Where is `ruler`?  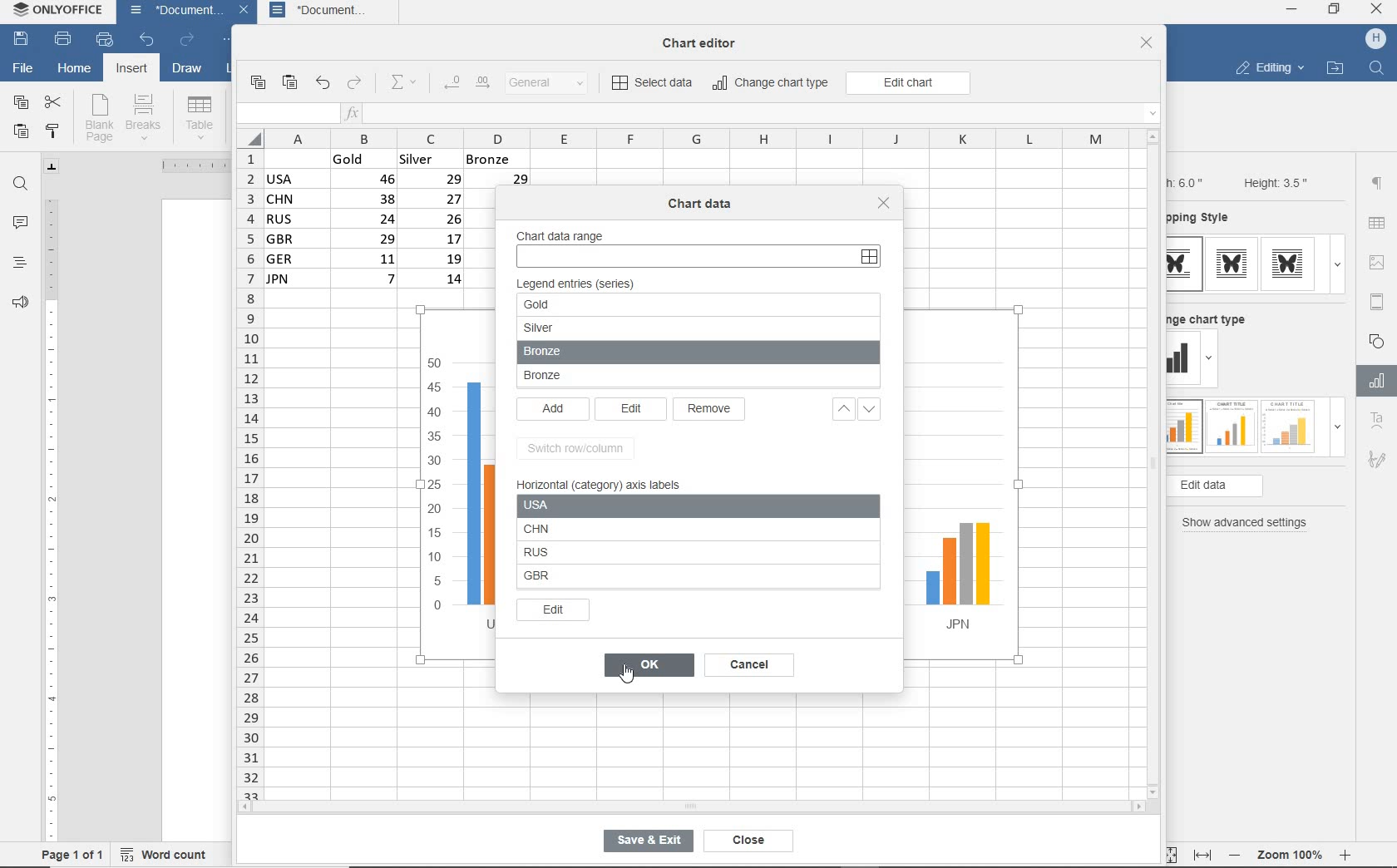
ruler is located at coordinates (51, 513).